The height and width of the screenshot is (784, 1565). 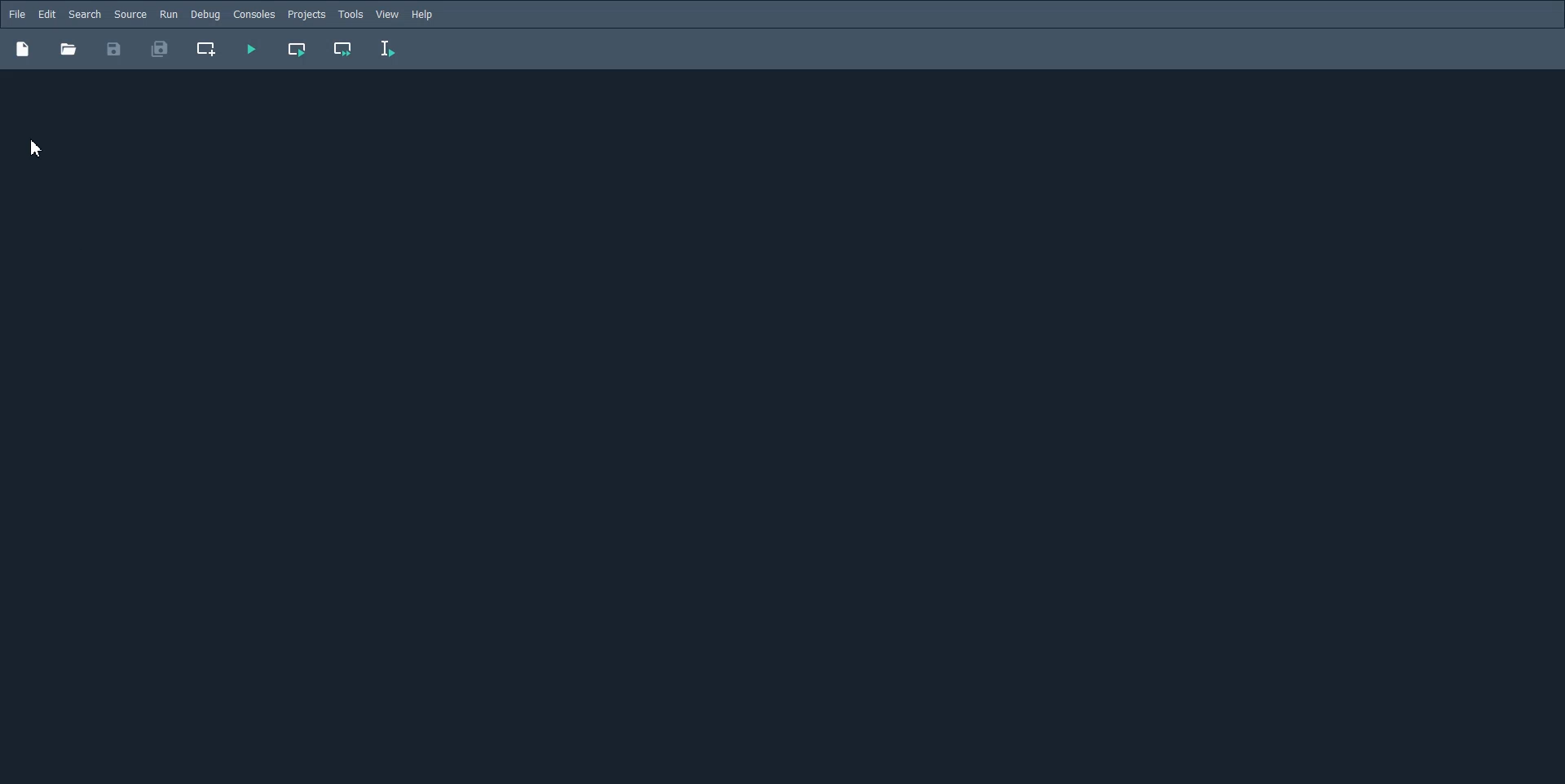 What do you see at coordinates (85, 15) in the screenshot?
I see `Search` at bounding box center [85, 15].